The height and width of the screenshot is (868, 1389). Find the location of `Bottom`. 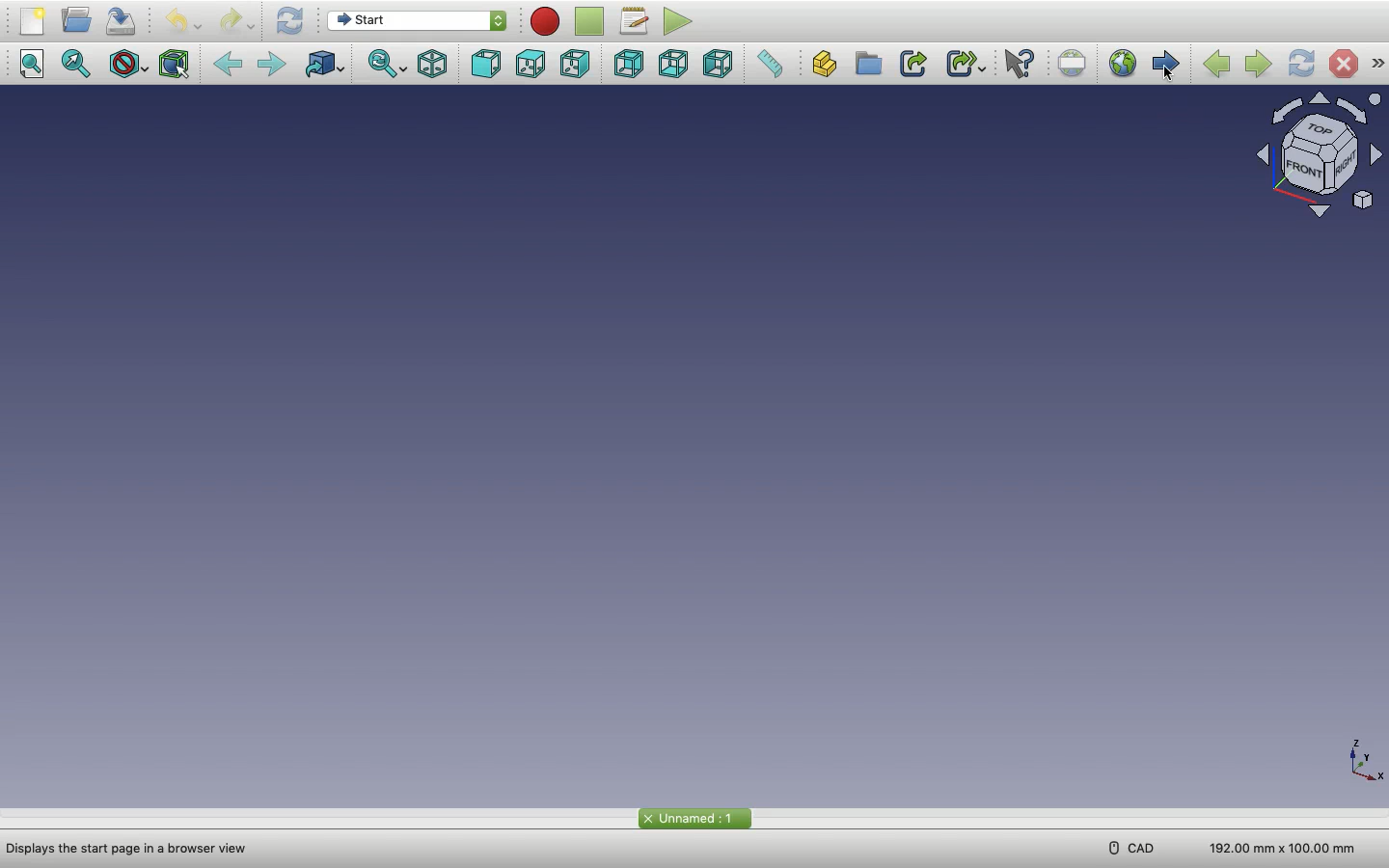

Bottom is located at coordinates (676, 64).